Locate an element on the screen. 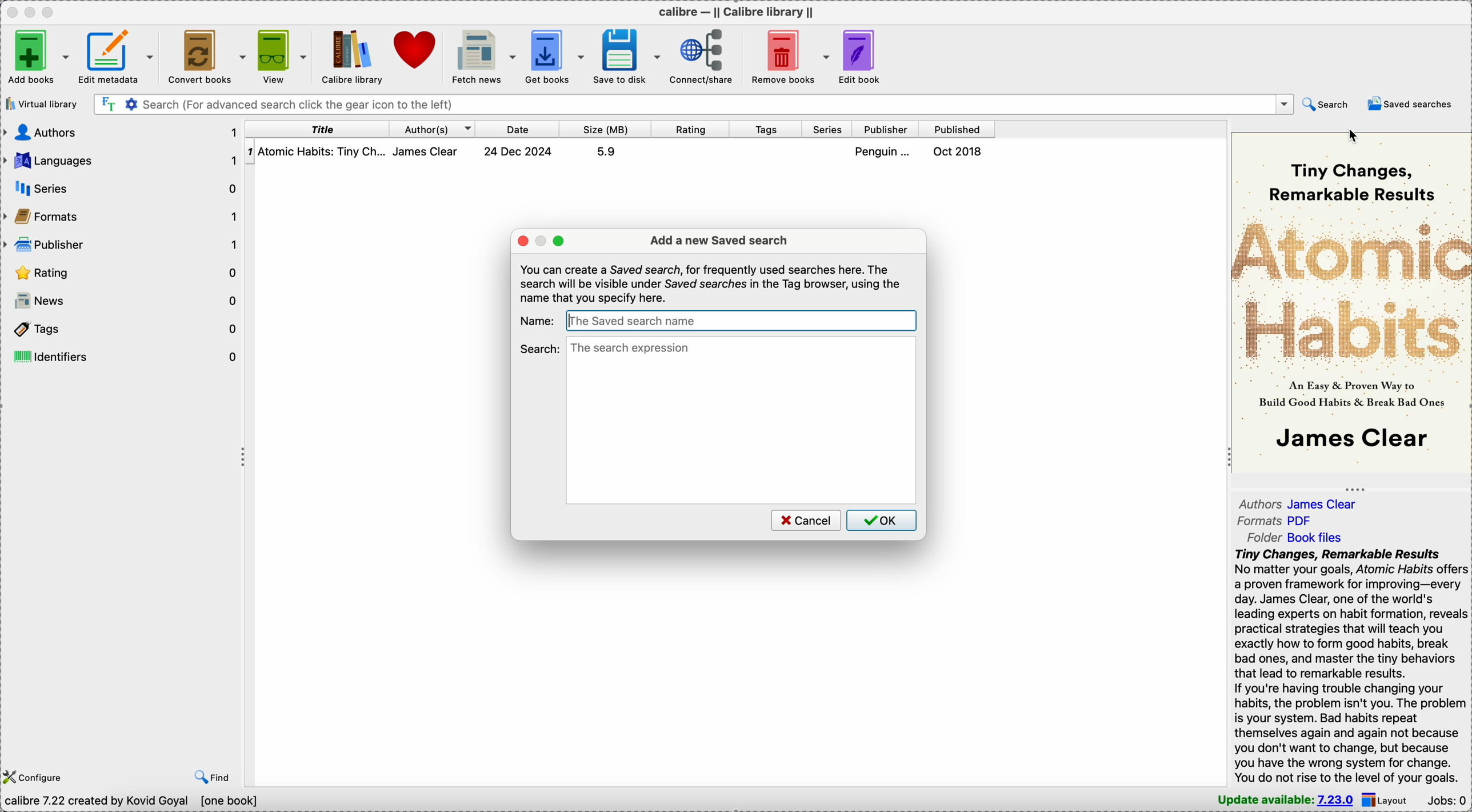 Image resolution: width=1472 pixels, height=812 pixels. add a new saved search is located at coordinates (719, 241).